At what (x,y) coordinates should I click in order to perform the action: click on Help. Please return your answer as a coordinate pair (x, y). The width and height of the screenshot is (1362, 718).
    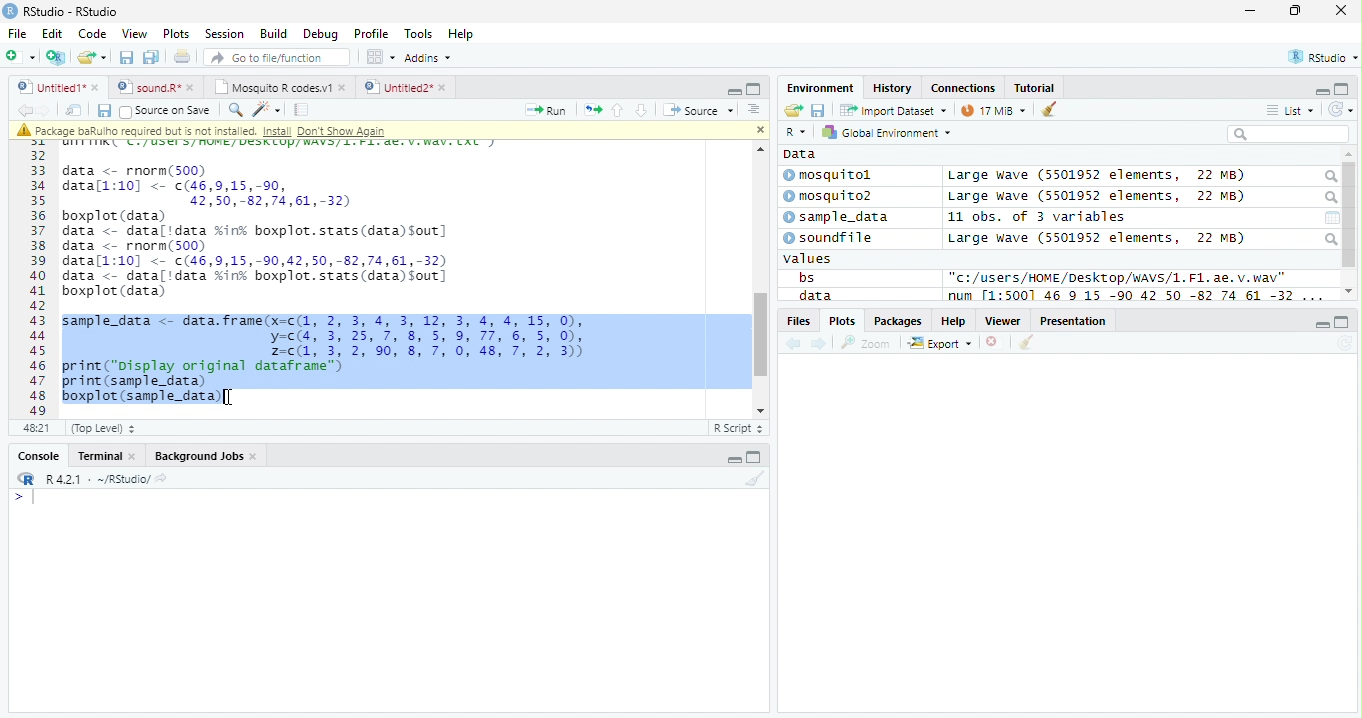
    Looking at the image, I should click on (463, 34).